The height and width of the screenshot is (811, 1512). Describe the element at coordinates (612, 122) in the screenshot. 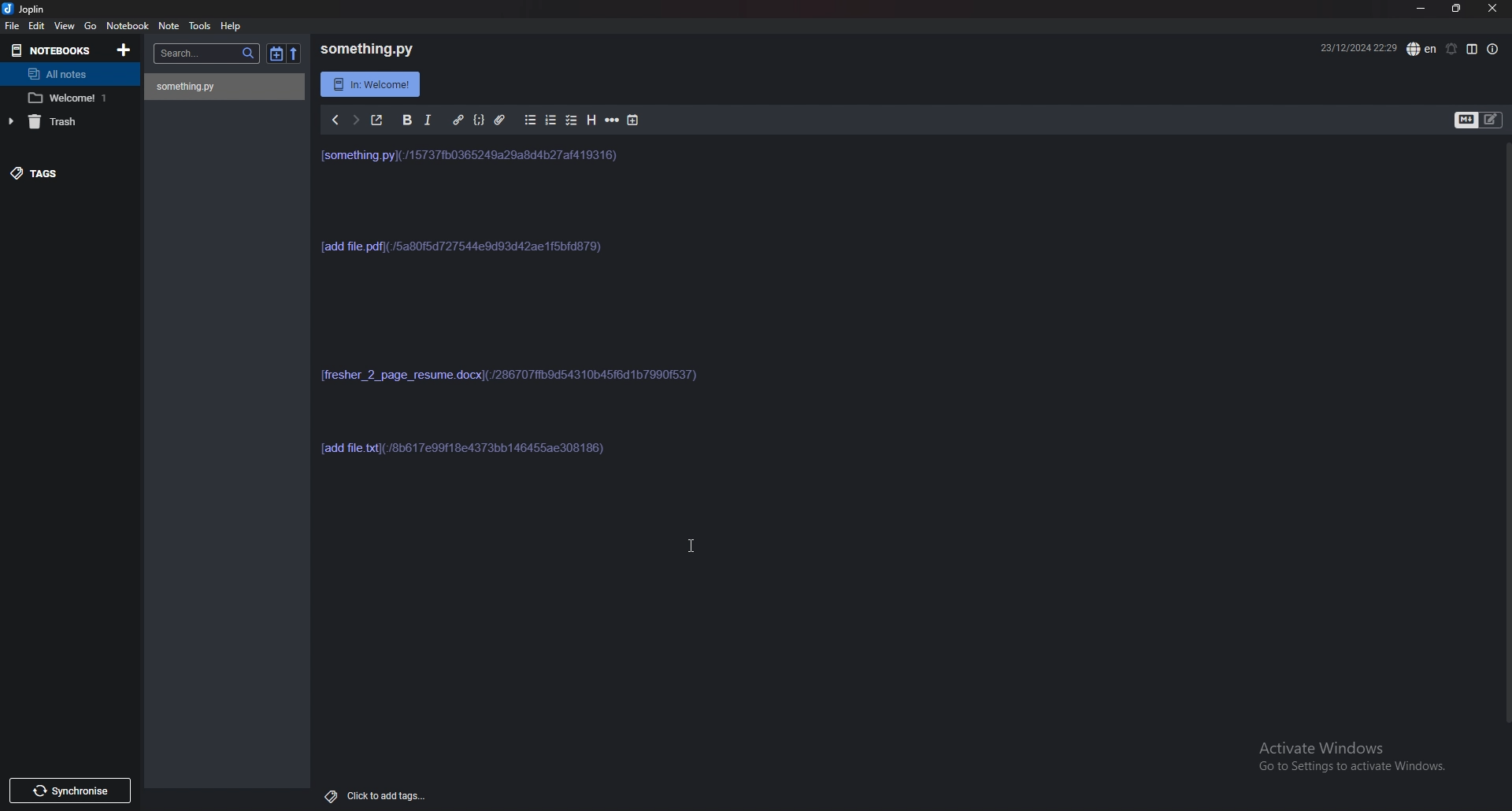

I see `Horizontal rule` at that location.